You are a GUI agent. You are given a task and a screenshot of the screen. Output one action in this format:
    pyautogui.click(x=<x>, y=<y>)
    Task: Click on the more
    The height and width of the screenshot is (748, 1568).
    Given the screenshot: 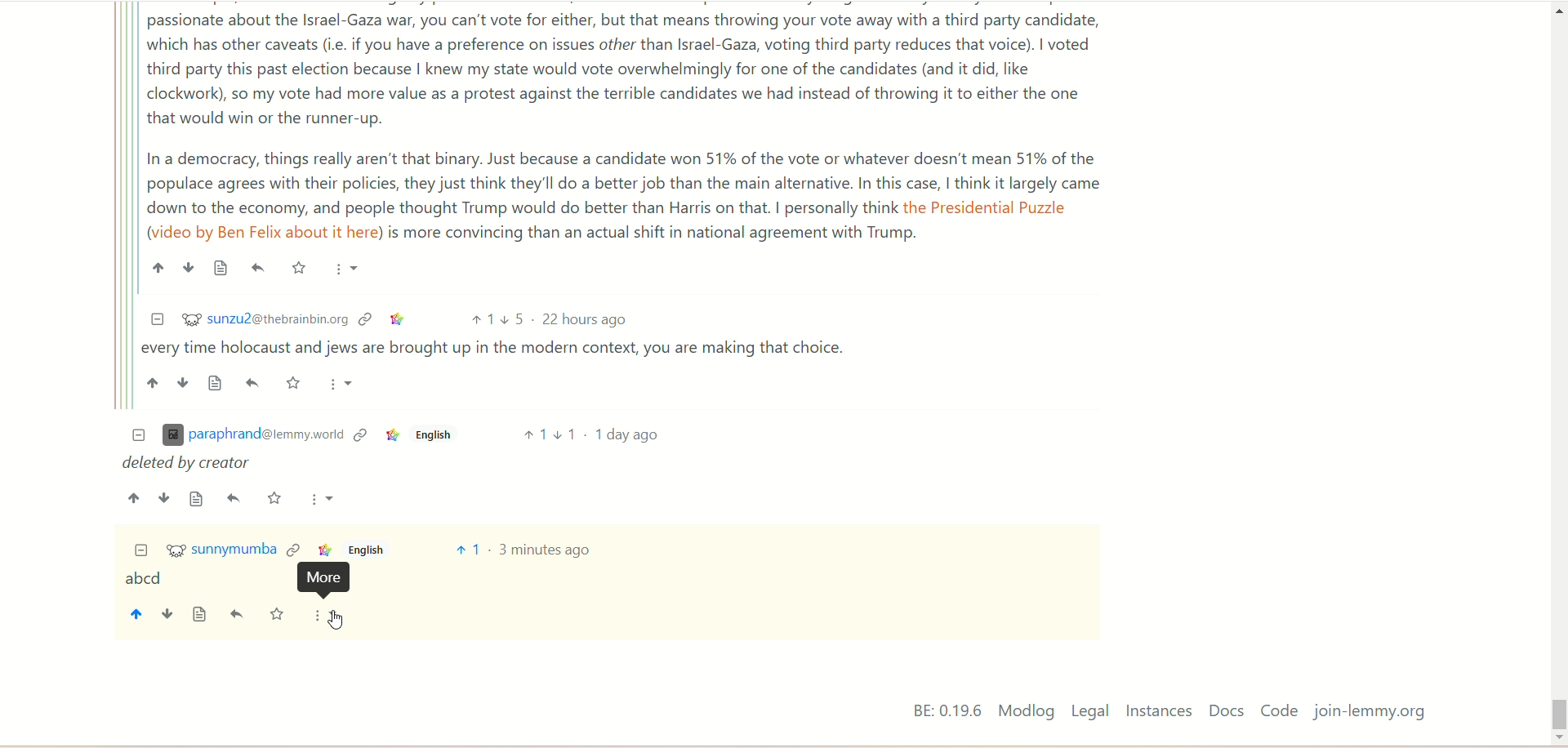 What is the action you would take?
    pyautogui.click(x=327, y=617)
    